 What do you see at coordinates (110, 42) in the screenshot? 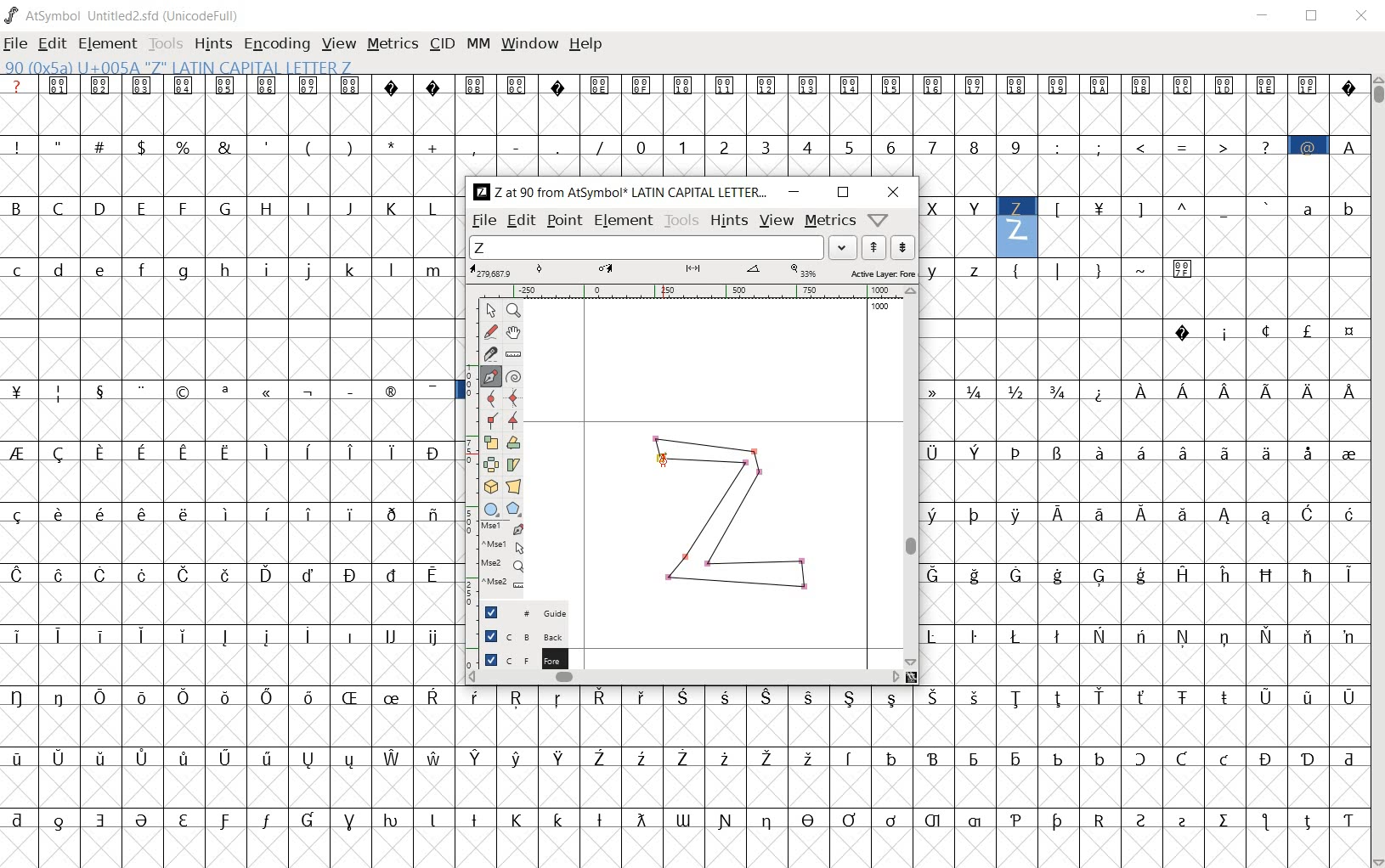
I see `element` at bounding box center [110, 42].